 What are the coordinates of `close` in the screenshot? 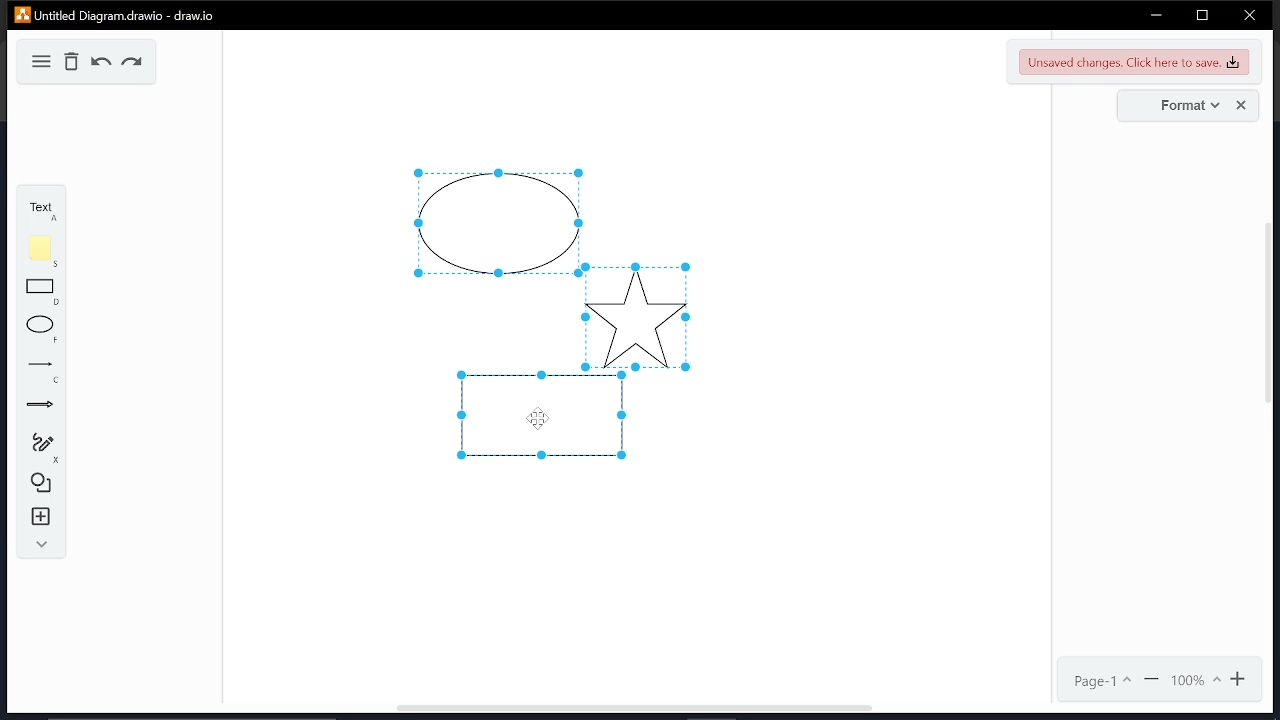 It's located at (1249, 17).